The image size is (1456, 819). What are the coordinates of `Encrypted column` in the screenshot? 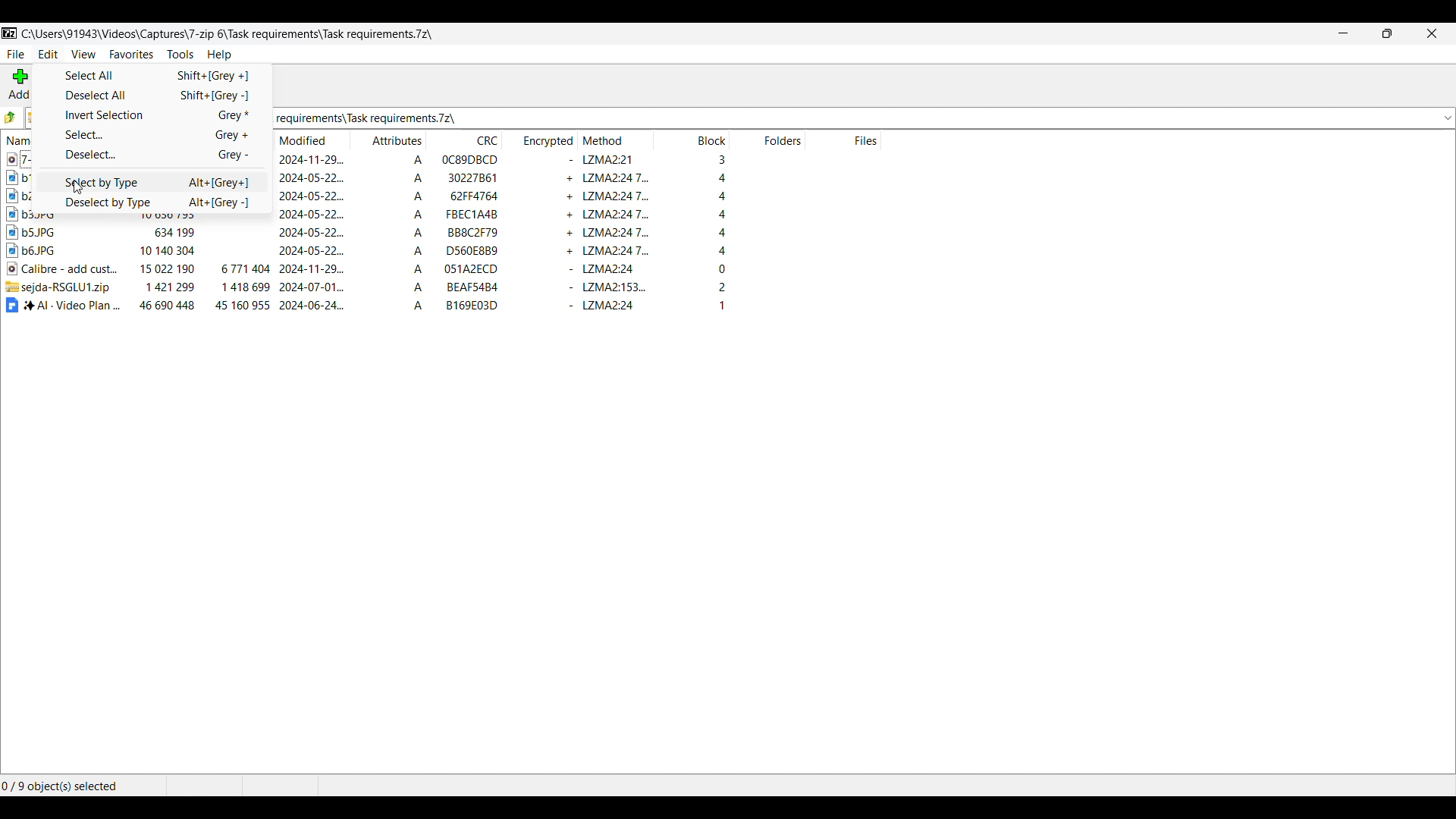 It's located at (540, 139).